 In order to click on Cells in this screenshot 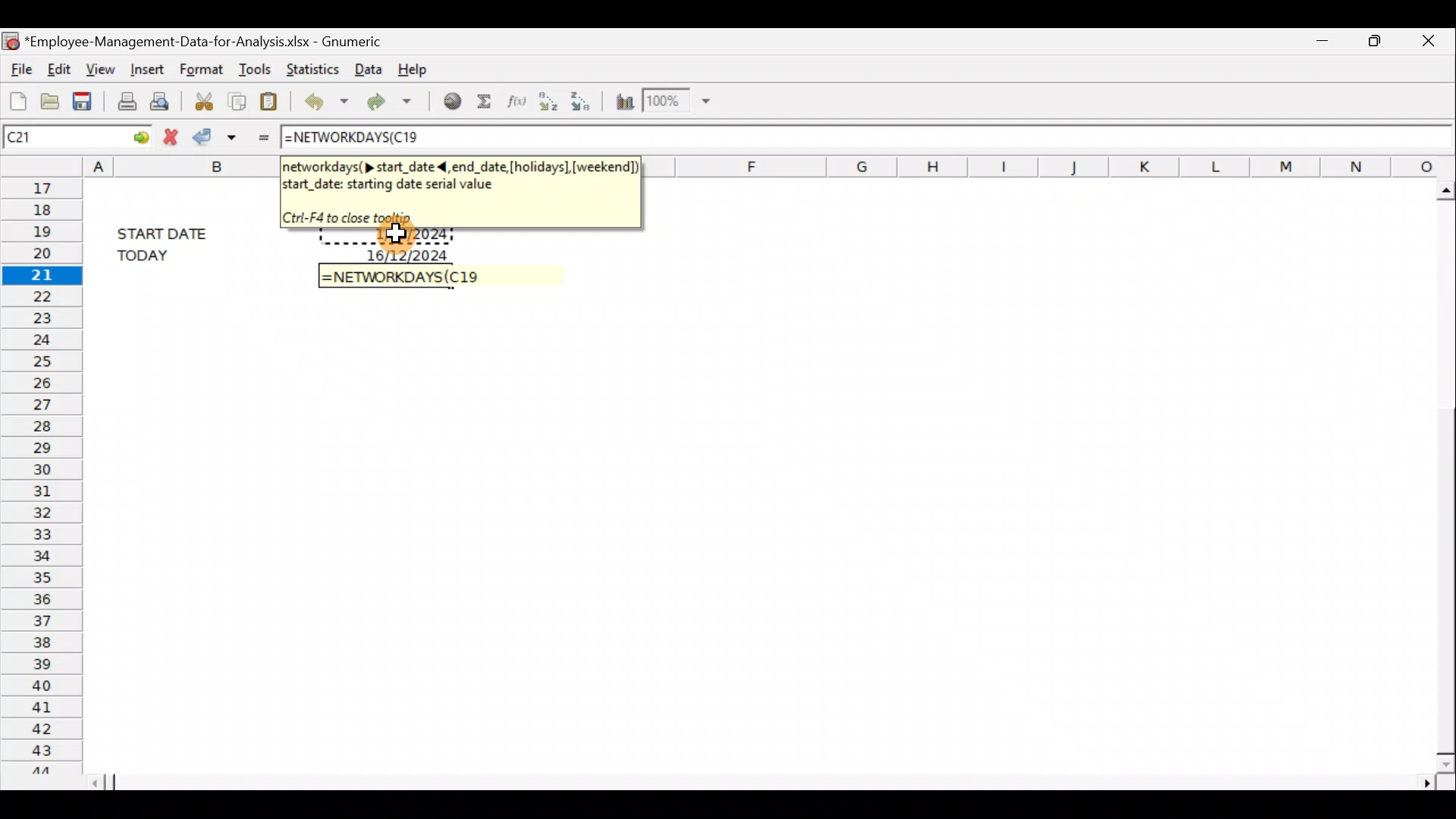, I will do `click(750, 539)`.